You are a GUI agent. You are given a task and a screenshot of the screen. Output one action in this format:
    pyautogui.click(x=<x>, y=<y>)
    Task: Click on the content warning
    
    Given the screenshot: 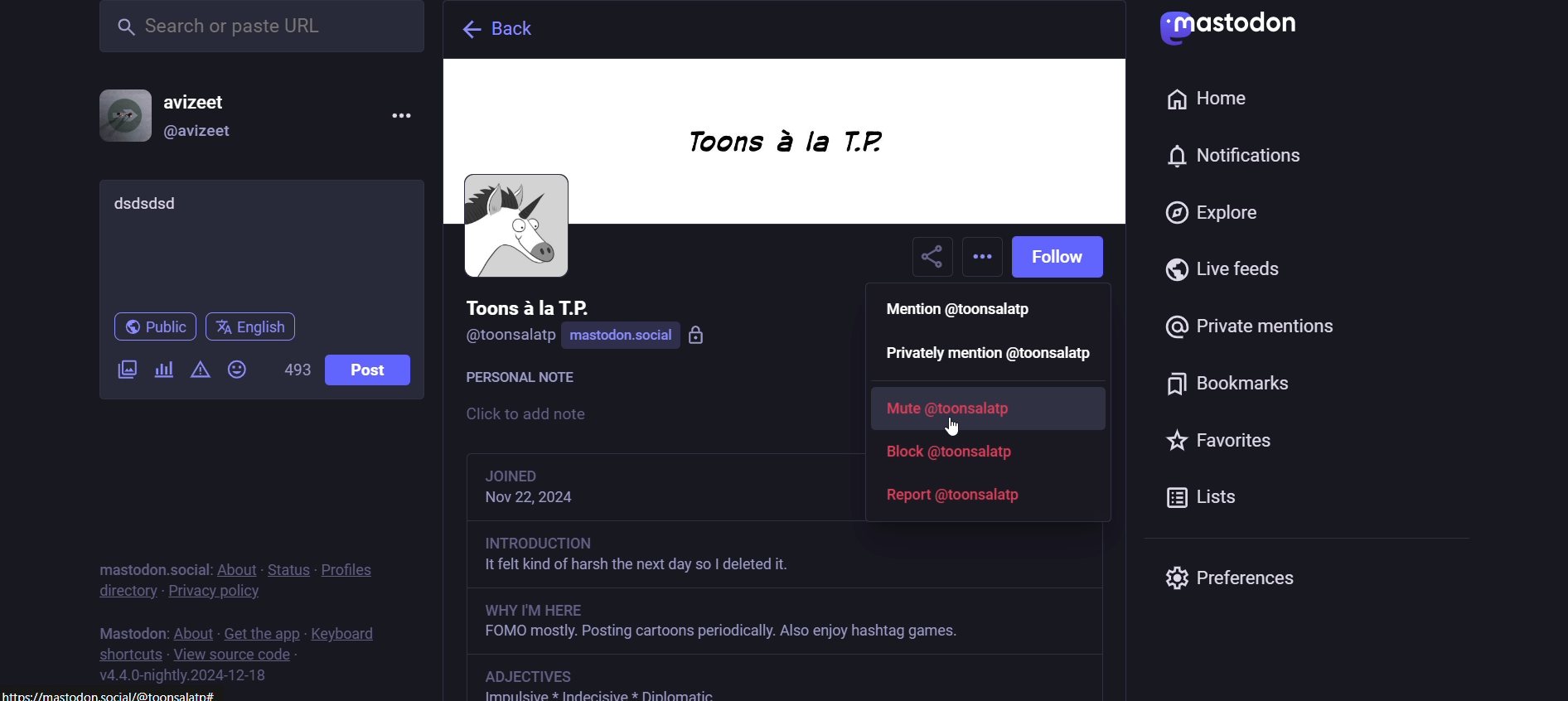 What is the action you would take?
    pyautogui.click(x=198, y=372)
    